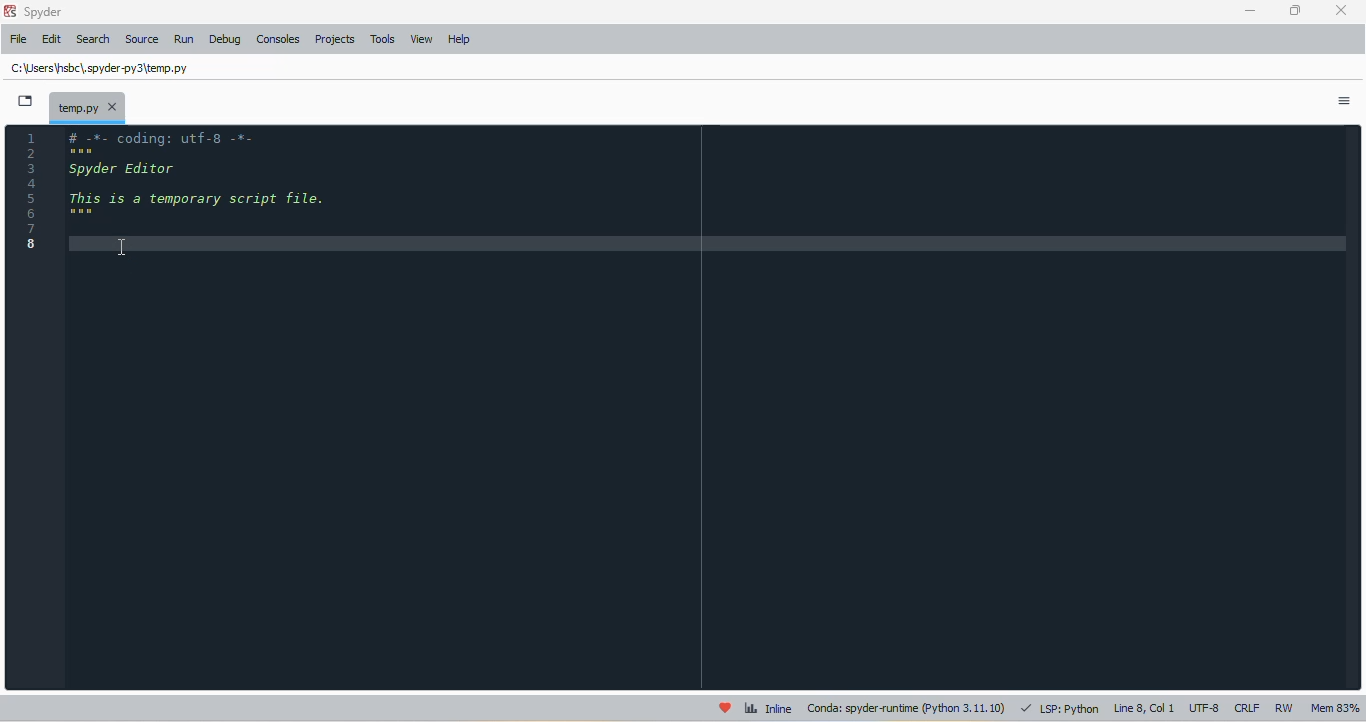 The width and height of the screenshot is (1366, 722). Describe the element at coordinates (1247, 709) in the screenshot. I see `CRLF` at that location.